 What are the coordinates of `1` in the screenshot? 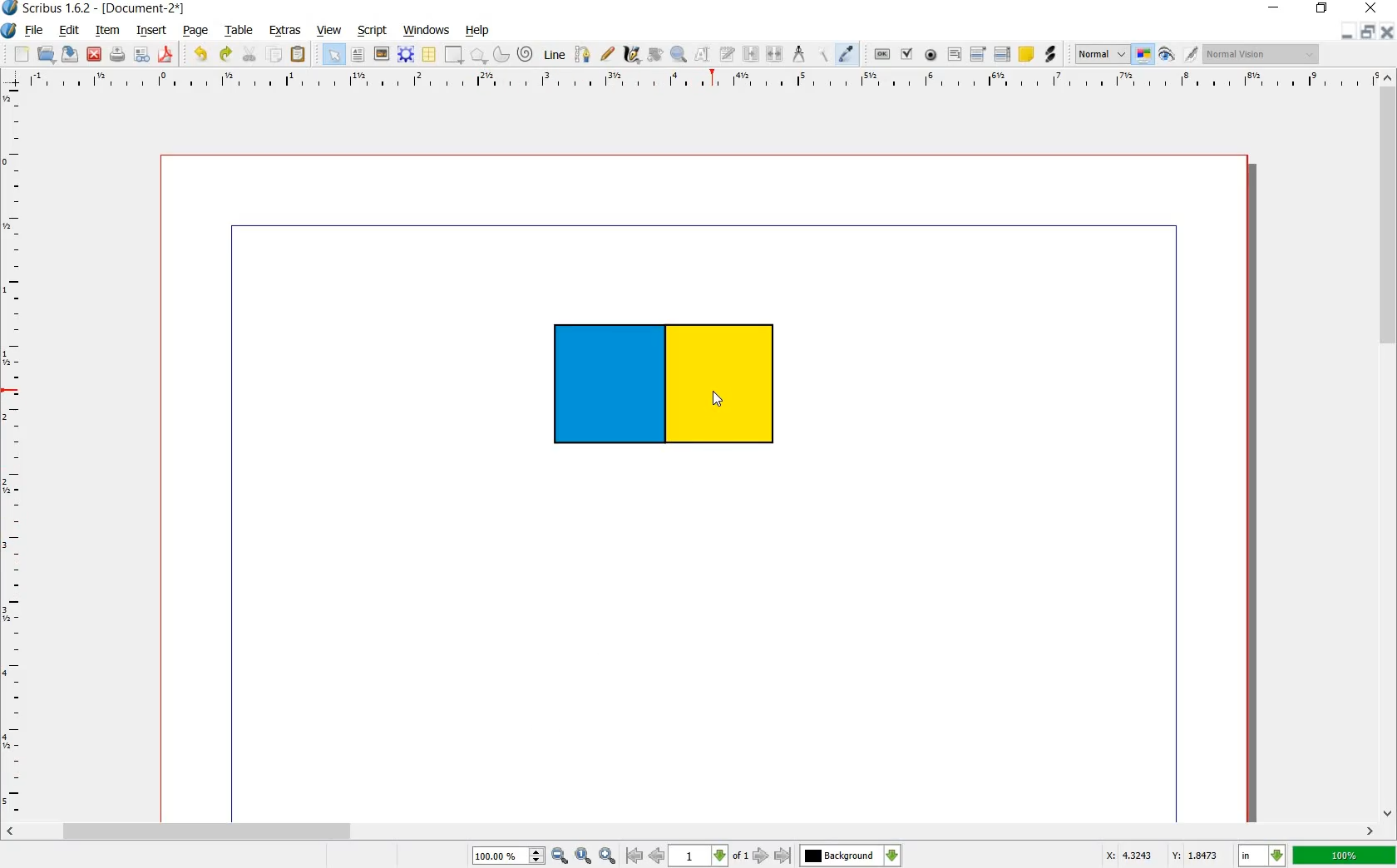 It's located at (710, 856).